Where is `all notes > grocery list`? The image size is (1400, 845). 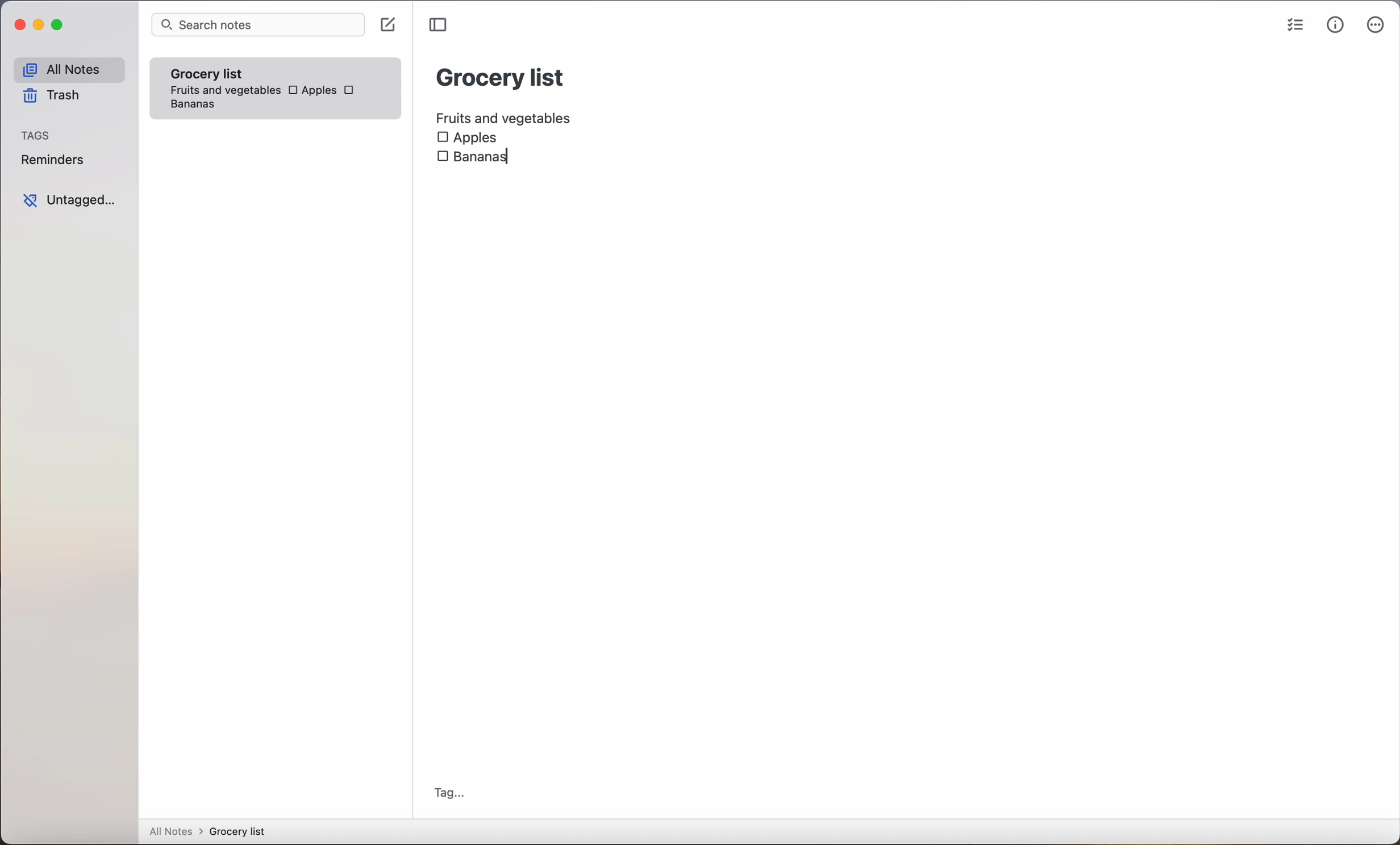
all notes > grocery list is located at coordinates (212, 833).